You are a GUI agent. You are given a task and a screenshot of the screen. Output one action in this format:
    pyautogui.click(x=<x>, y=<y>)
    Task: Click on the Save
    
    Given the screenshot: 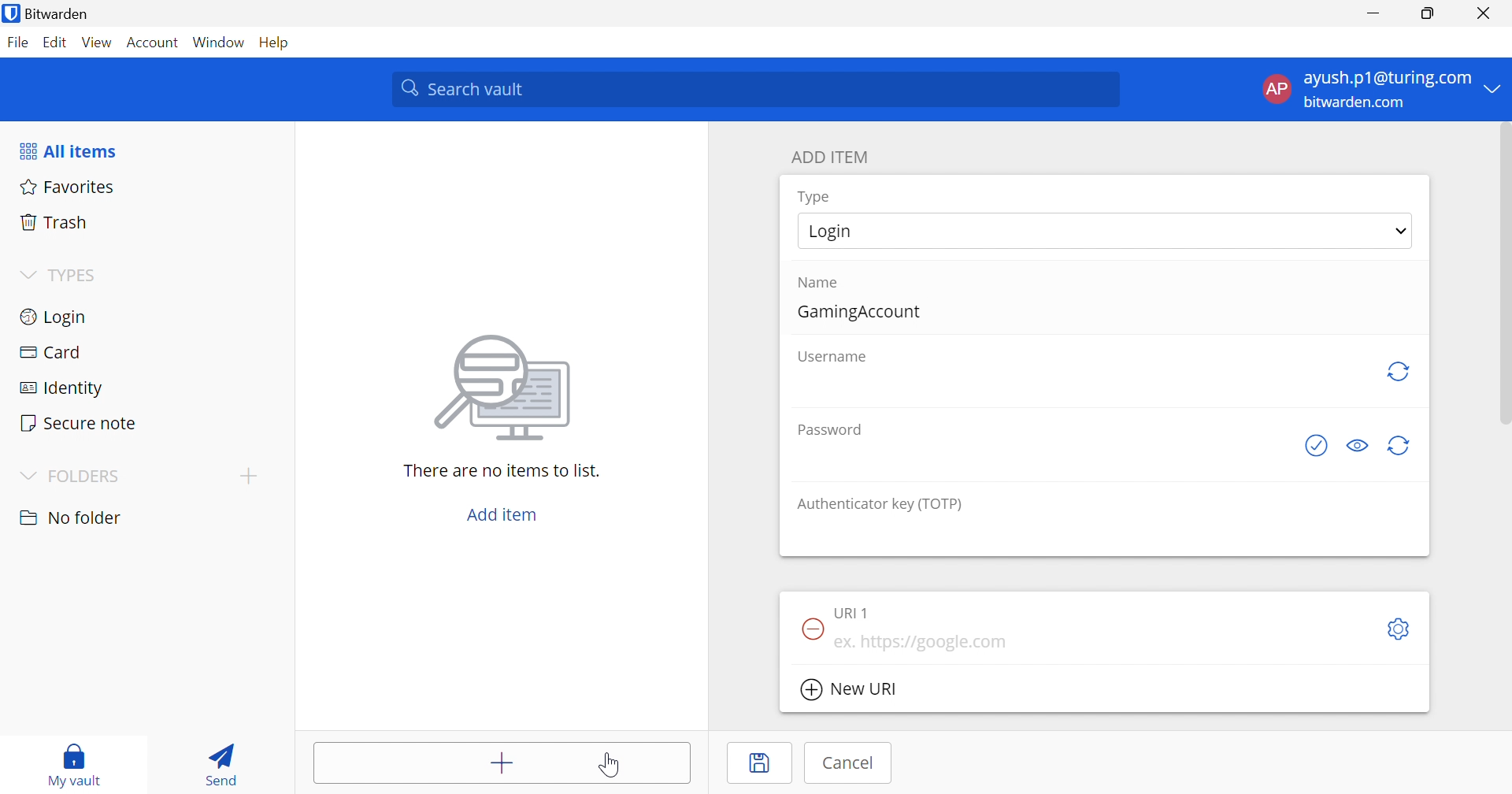 What is the action you would take?
    pyautogui.click(x=762, y=763)
    